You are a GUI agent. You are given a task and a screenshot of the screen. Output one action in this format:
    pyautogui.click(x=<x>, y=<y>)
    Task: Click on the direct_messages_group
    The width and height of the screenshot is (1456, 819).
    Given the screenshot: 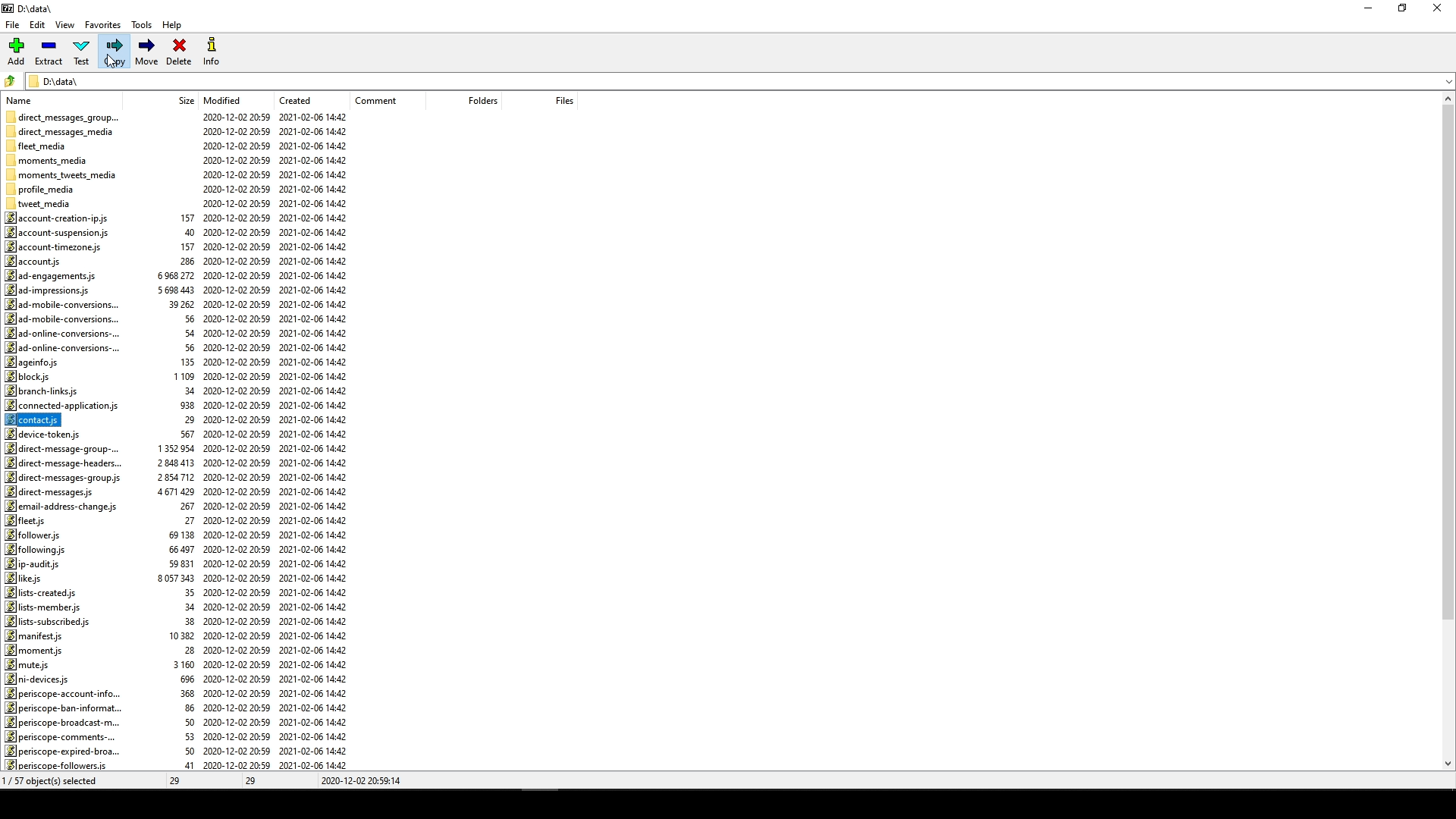 What is the action you would take?
    pyautogui.click(x=64, y=115)
    